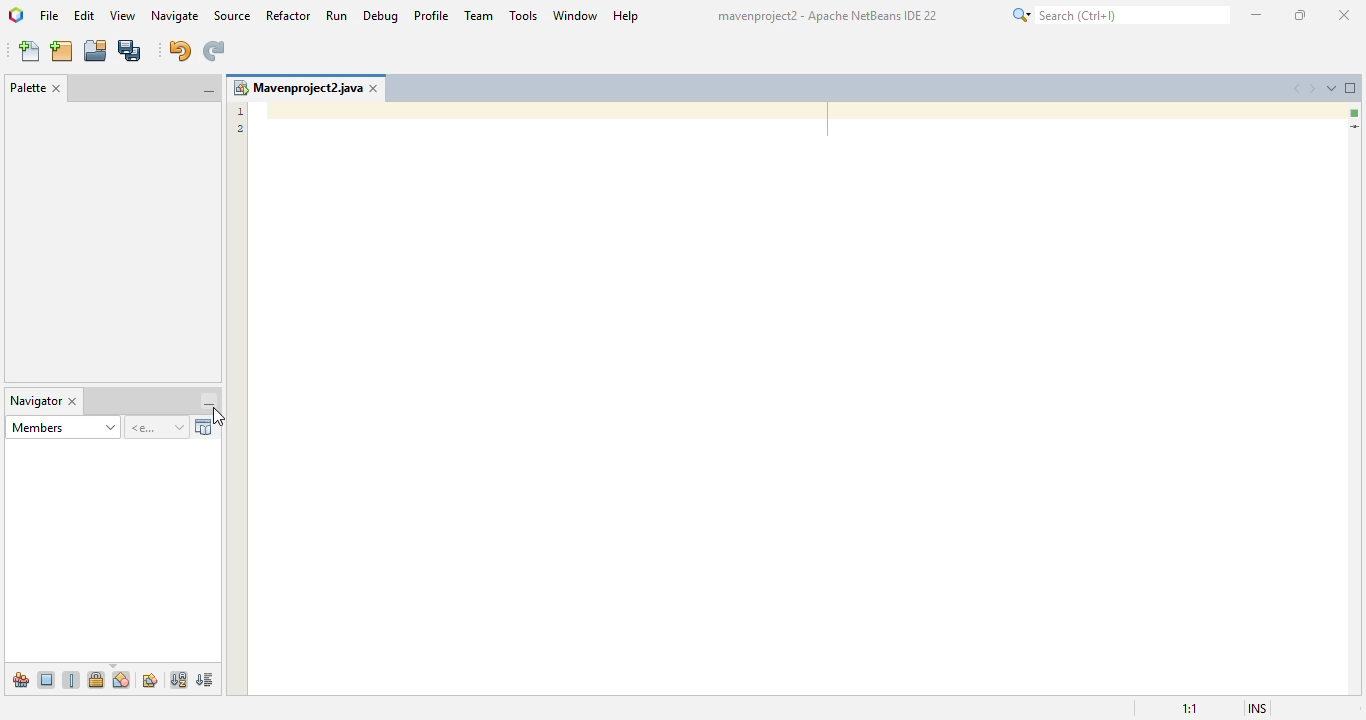  What do you see at coordinates (524, 15) in the screenshot?
I see `tools` at bounding box center [524, 15].